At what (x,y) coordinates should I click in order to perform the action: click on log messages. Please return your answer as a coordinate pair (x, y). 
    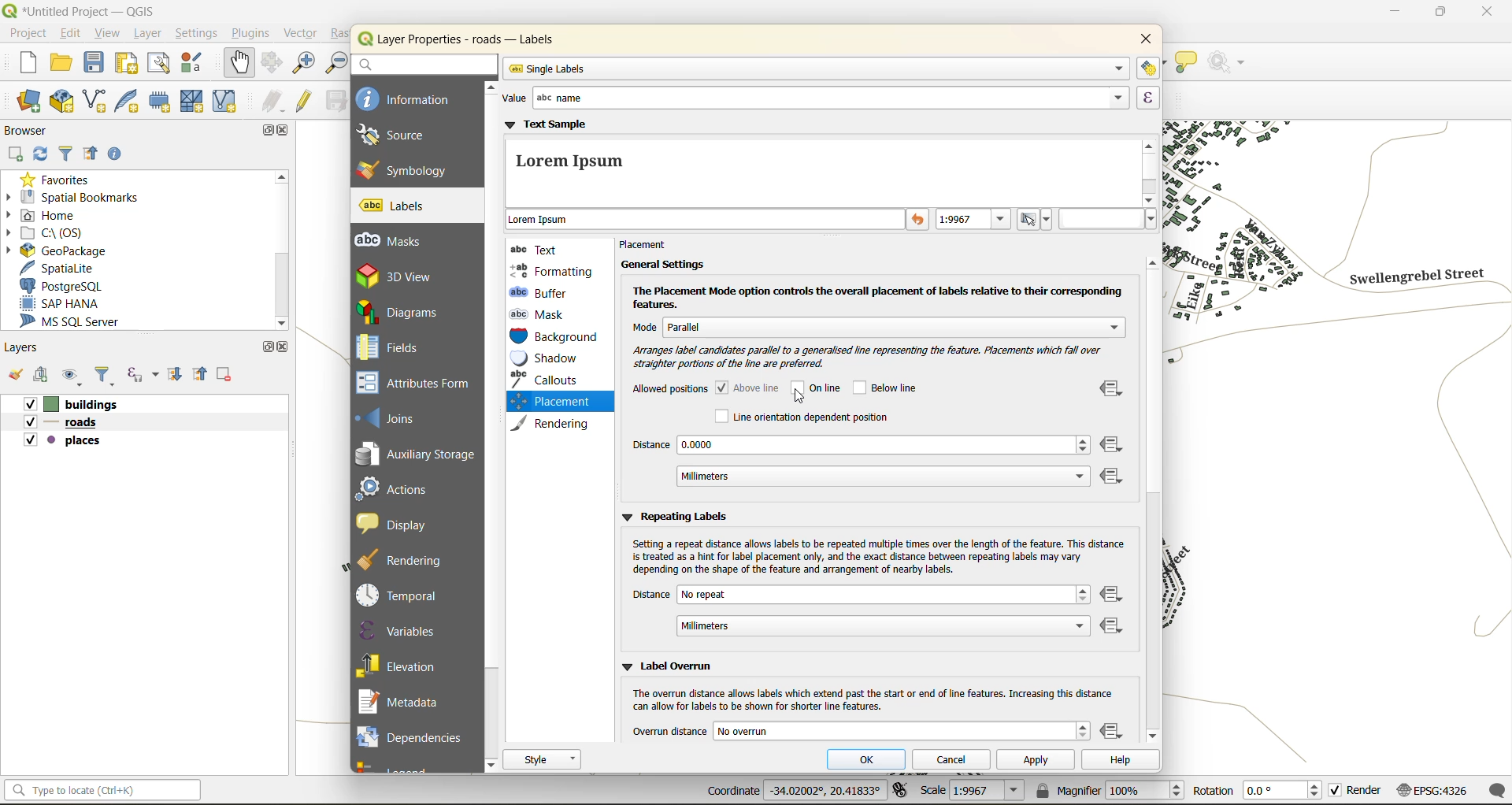
    Looking at the image, I should click on (1493, 791).